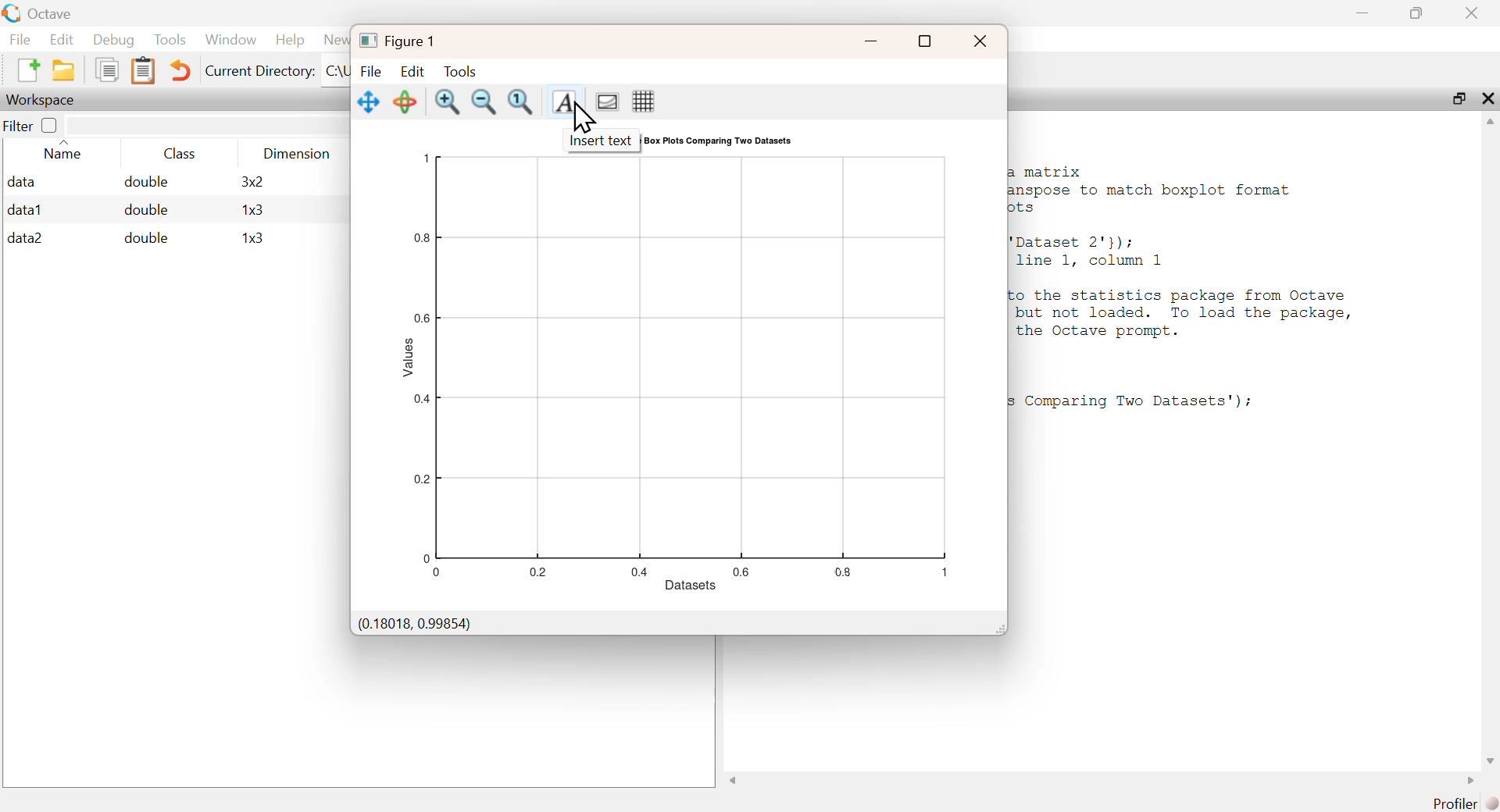 This screenshot has width=1500, height=812. I want to click on Class, so click(184, 154).